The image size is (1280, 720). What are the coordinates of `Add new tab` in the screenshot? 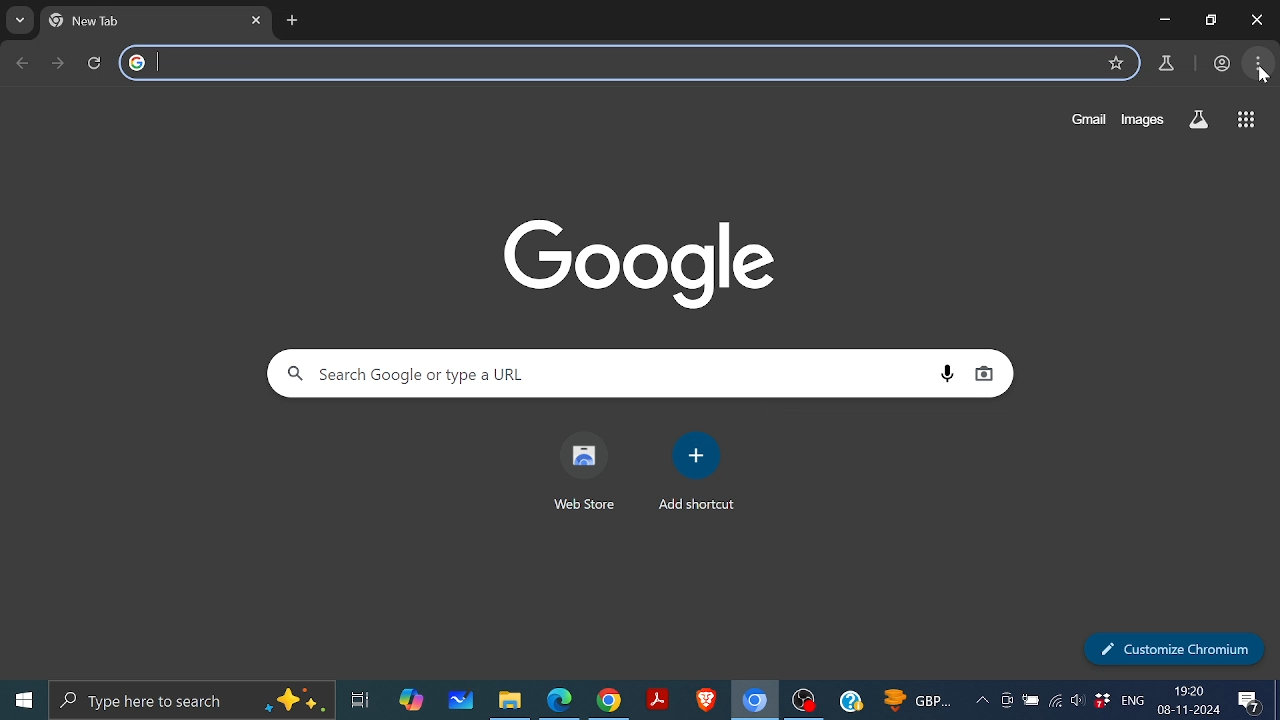 It's located at (294, 21).